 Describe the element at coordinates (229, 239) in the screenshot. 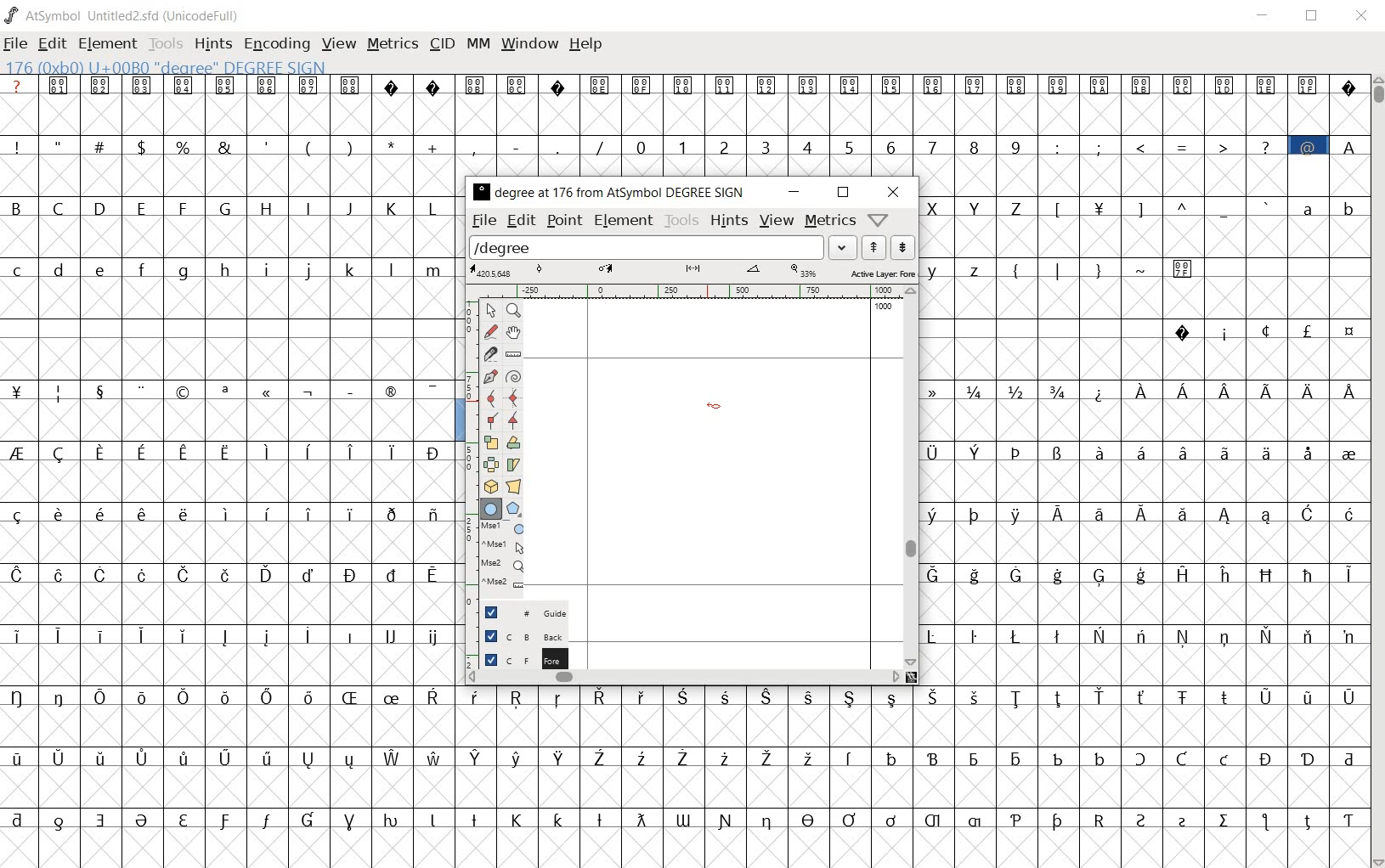

I see `empty glyph slots` at that location.